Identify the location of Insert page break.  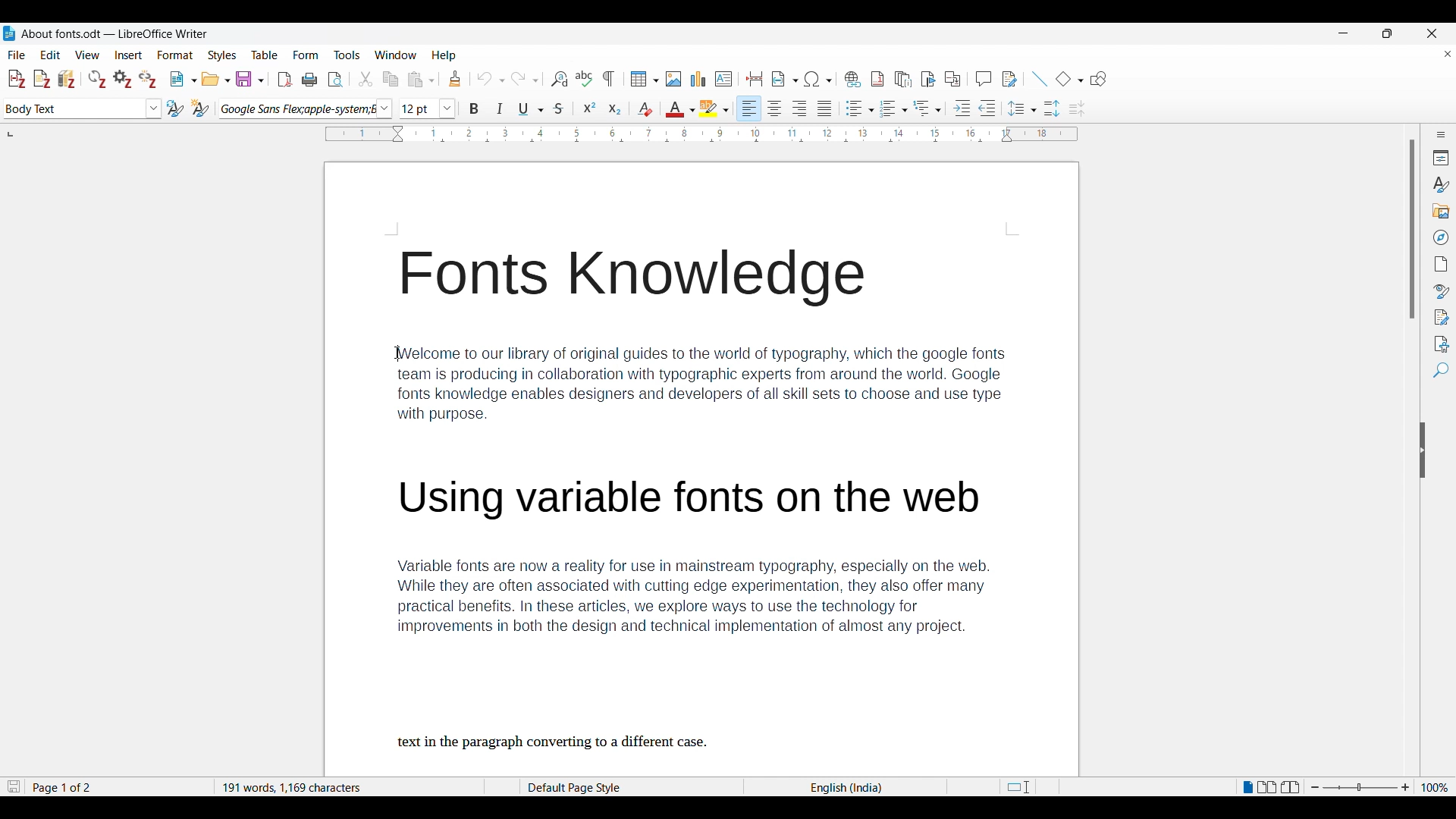
(755, 79).